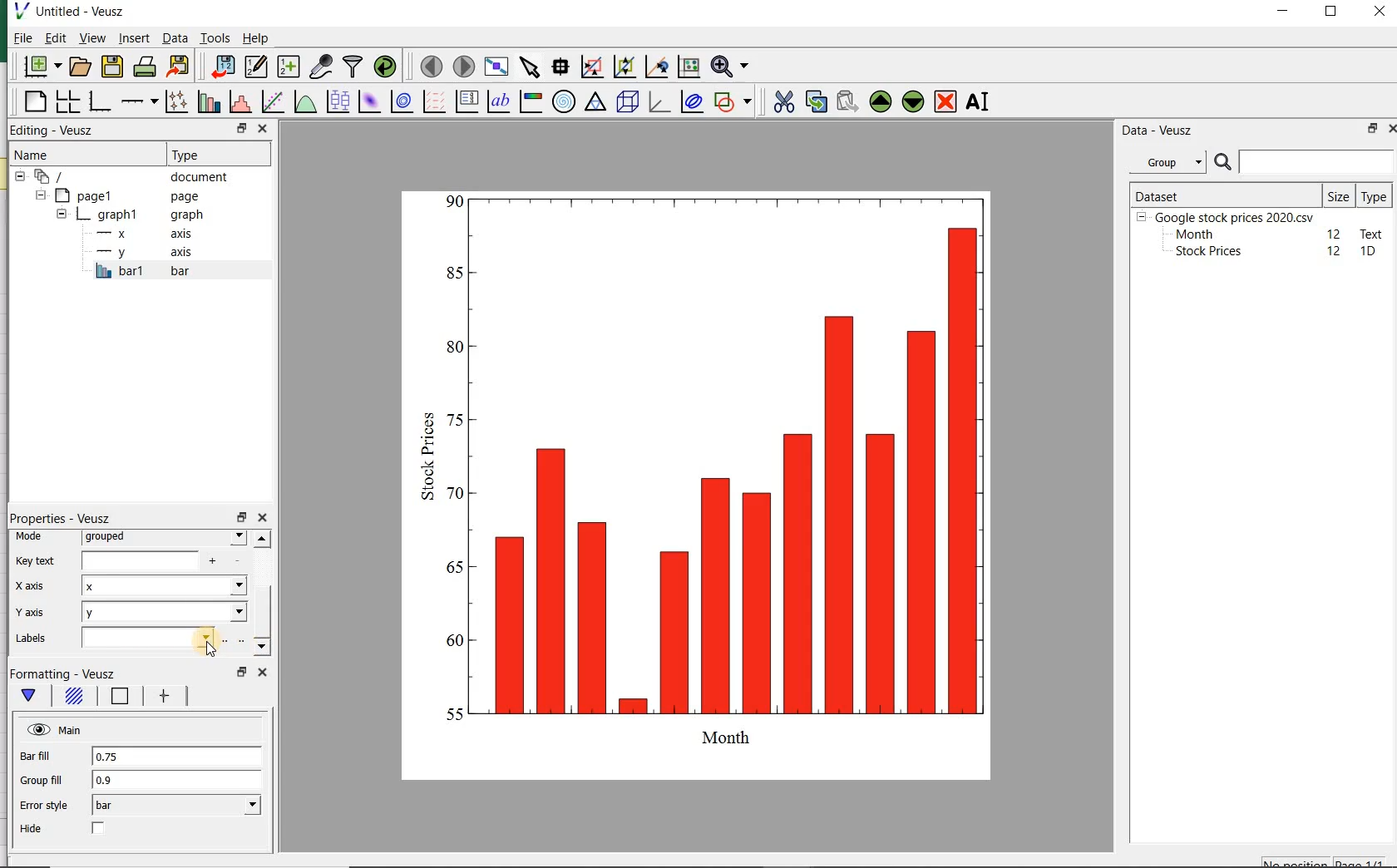 This screenshot has width=1397, height=868. Describe the element at coordinates (43, 805) in the screenshot. I see `Error style` at that location.